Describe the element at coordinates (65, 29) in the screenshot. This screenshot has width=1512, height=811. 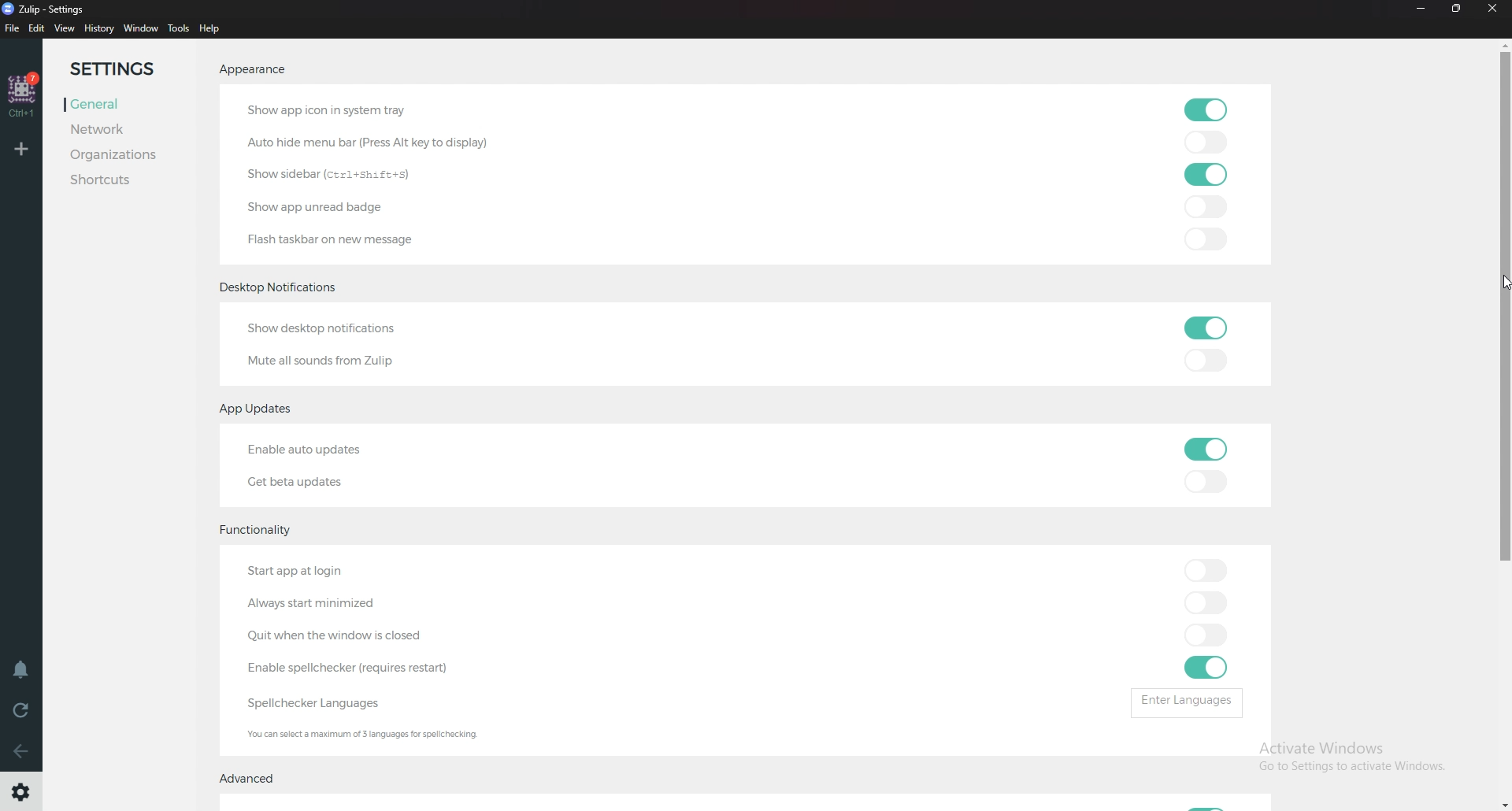
I see `view` at that location.